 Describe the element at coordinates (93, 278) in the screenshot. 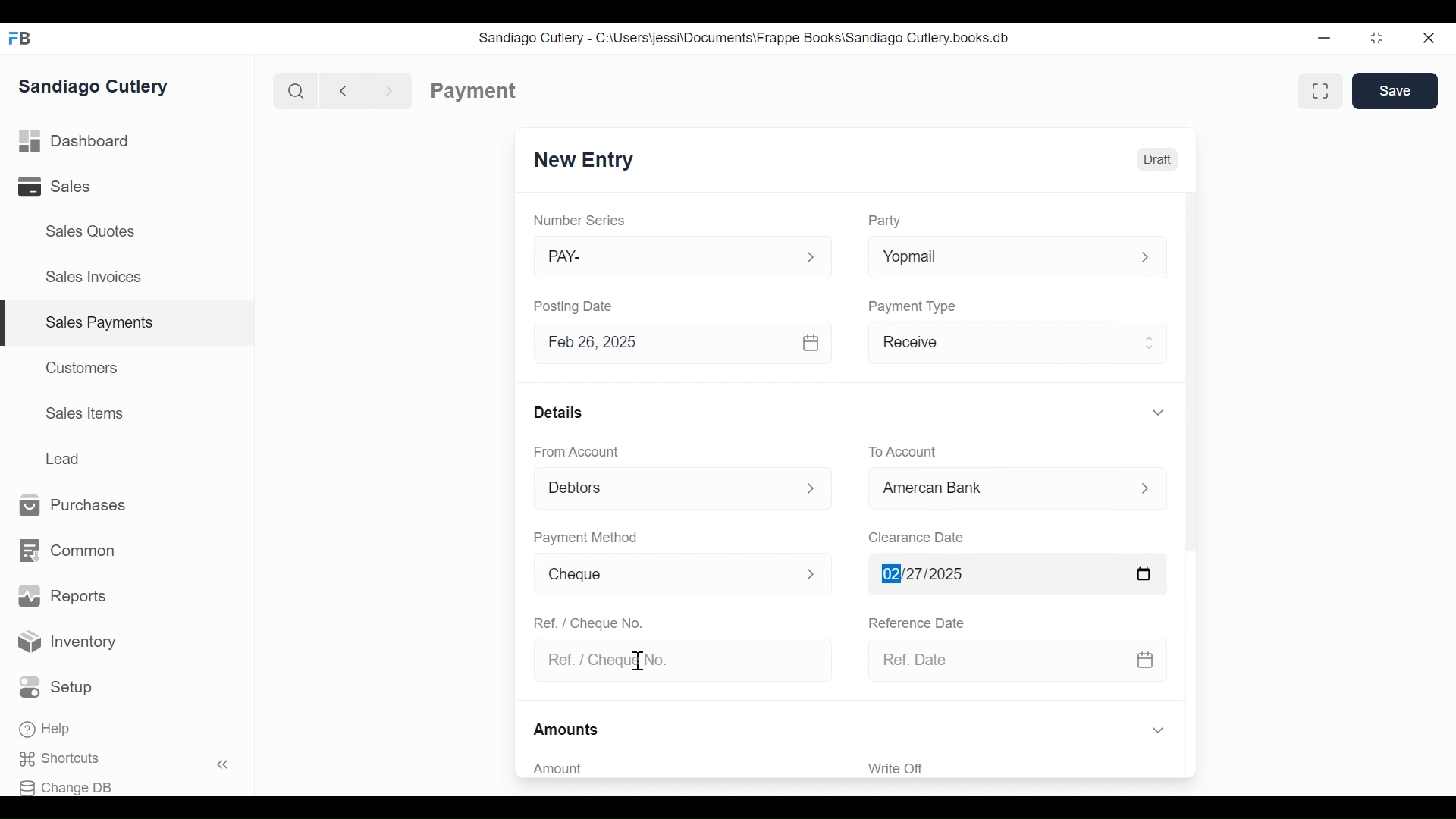

I see `Sales Invoices` at that location.